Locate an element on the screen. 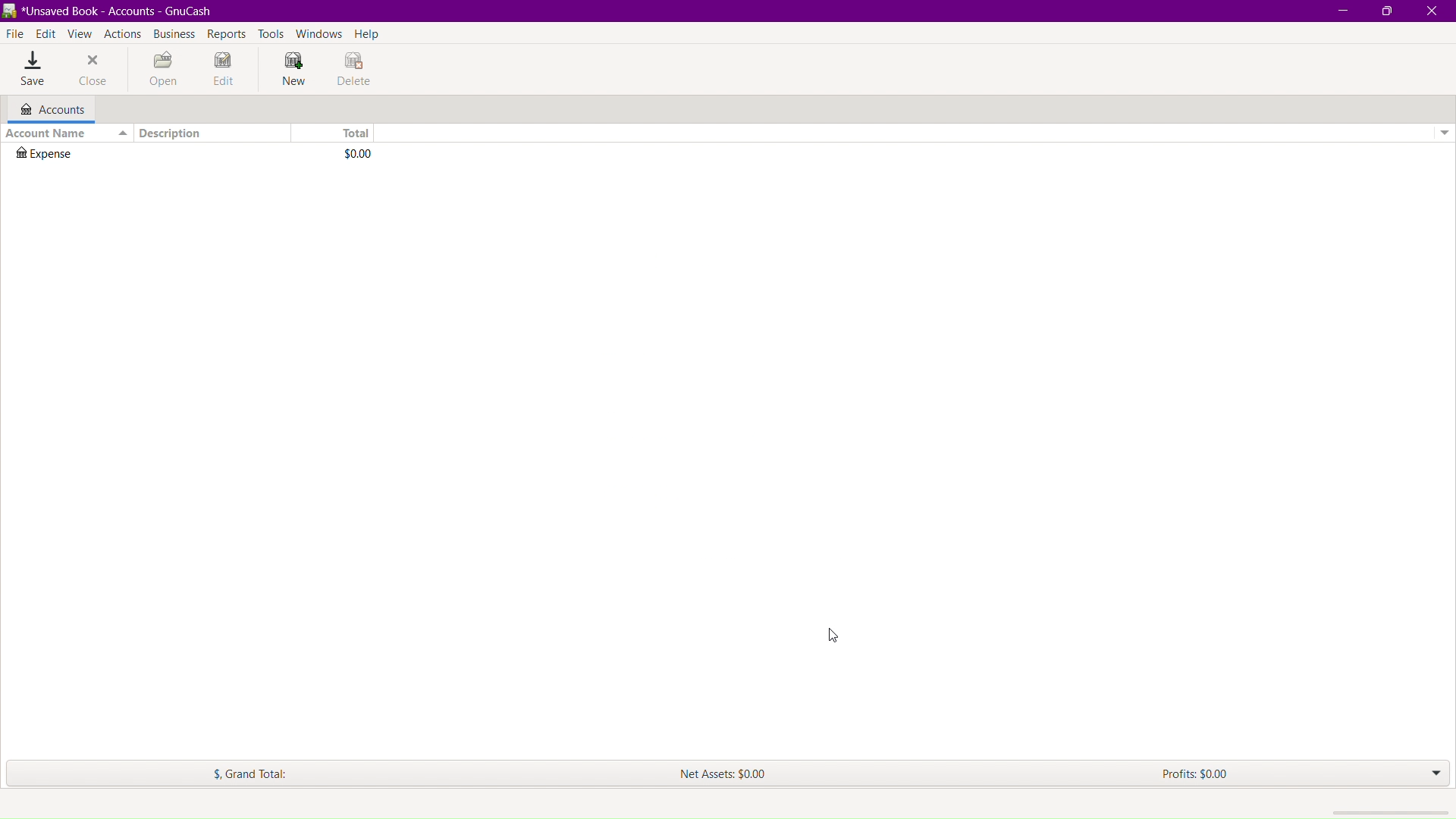 The height and width of the screenshot is (819, 1456). Open is located at coordinates (163, 71).